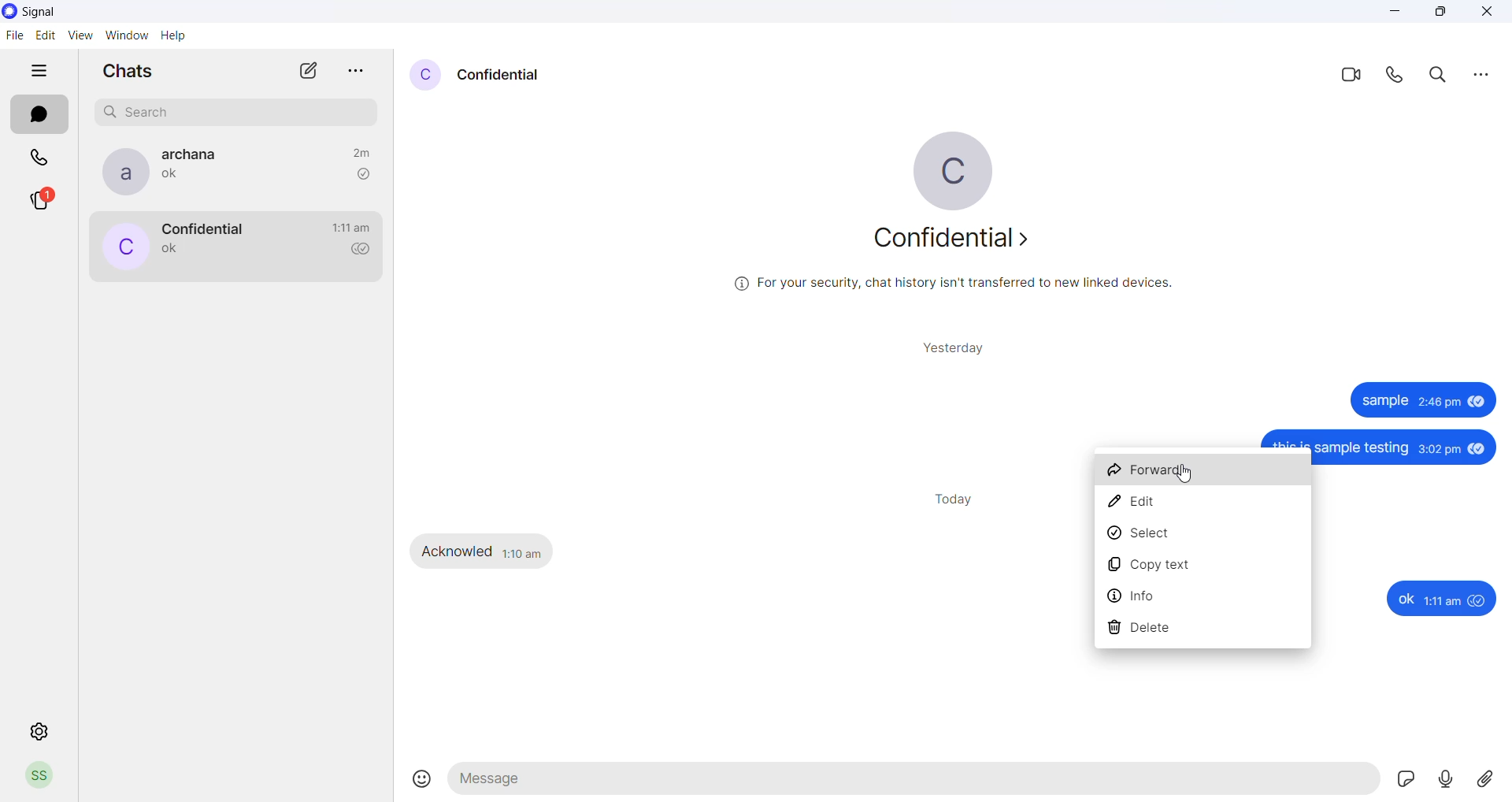 Image resolution: width=1512 pixels, height=802 pixels. What do you see at coordinates (177, 37) in the screenshot?
I see `help` at bounding box center [177, 37].